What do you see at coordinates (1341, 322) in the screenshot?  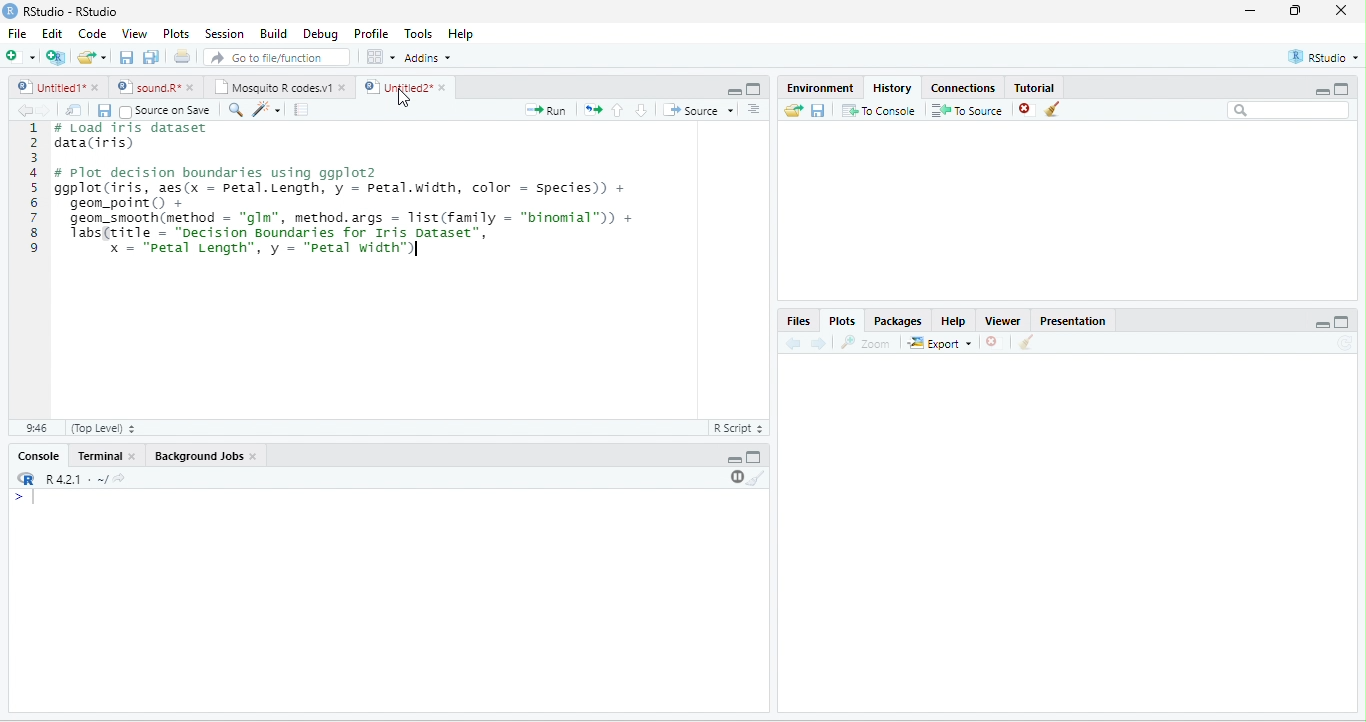 I see `Maximize` at bounding box center [1341, 322].